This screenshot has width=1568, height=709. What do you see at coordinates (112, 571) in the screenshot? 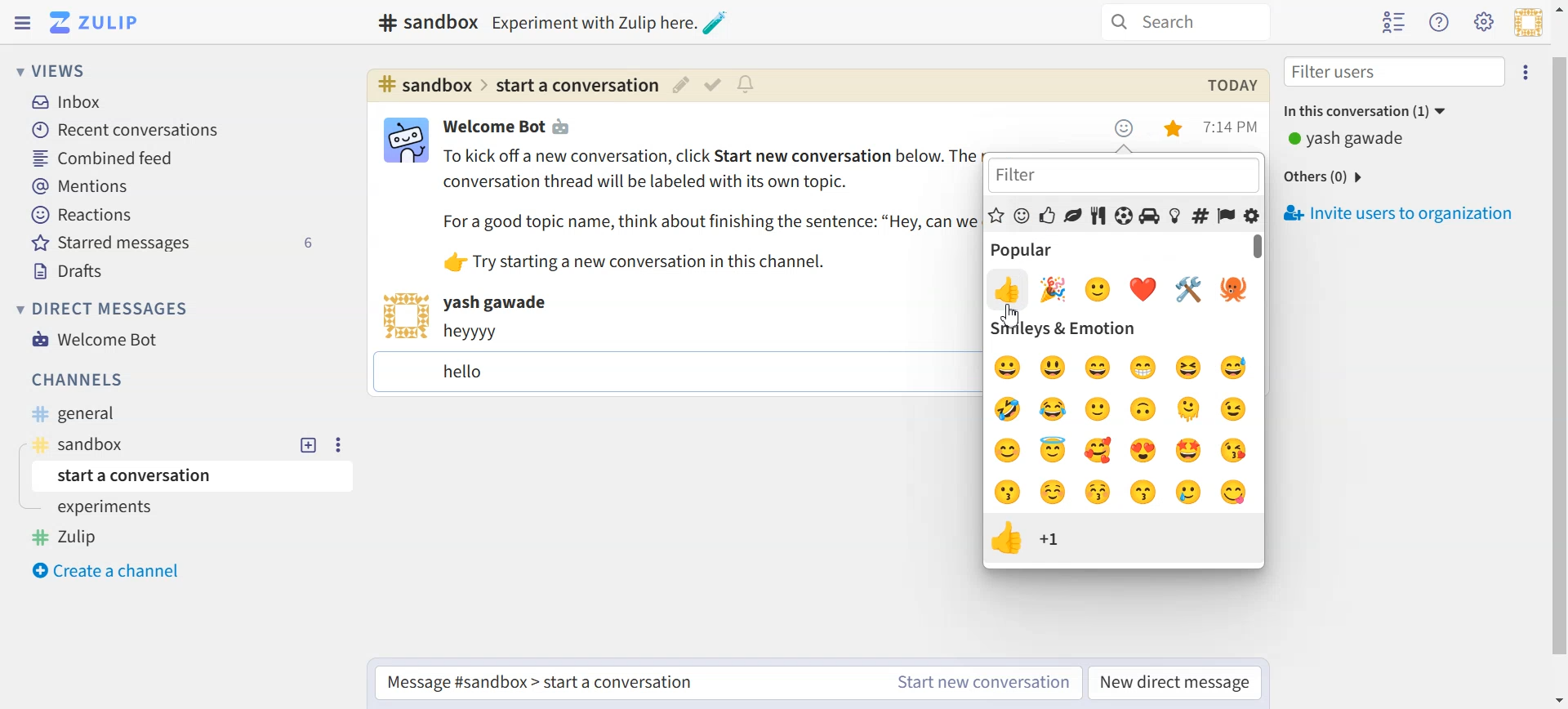
I see `Create a channel` at bounding box center [112, 571].